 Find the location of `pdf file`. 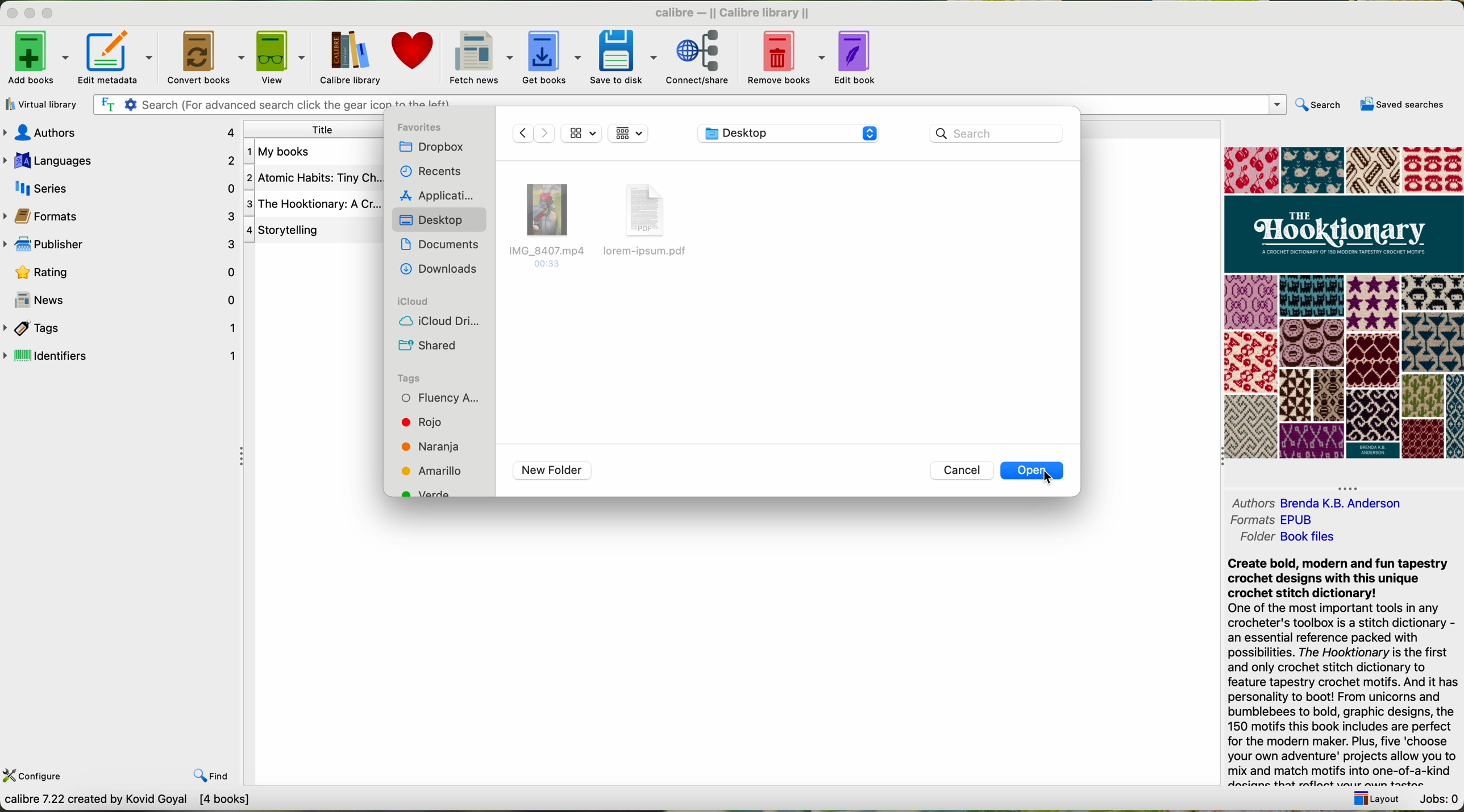

pdf file is located at coordinates (650, 221).